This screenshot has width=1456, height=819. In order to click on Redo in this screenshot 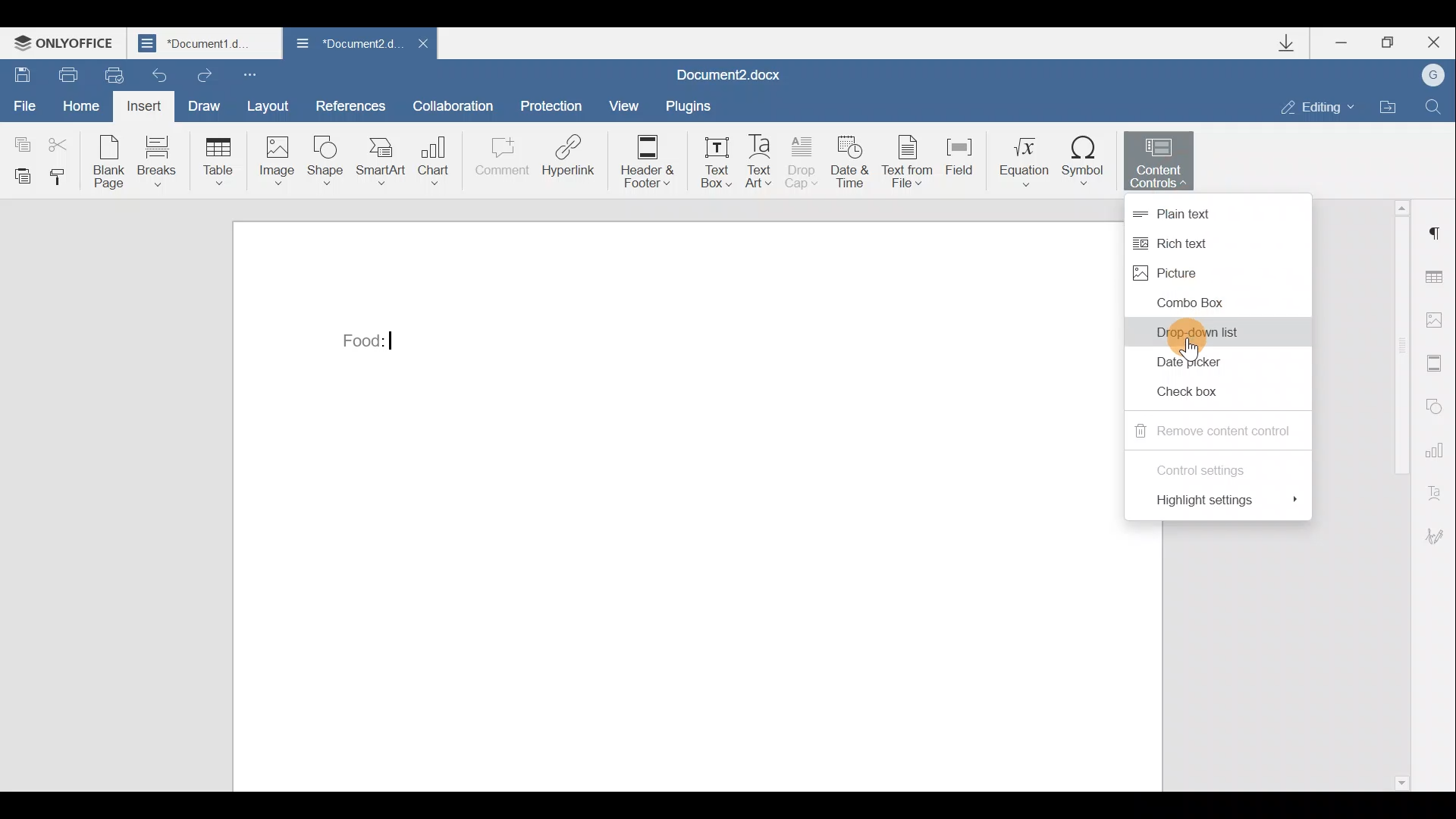, I will do `click(202, 72)`.